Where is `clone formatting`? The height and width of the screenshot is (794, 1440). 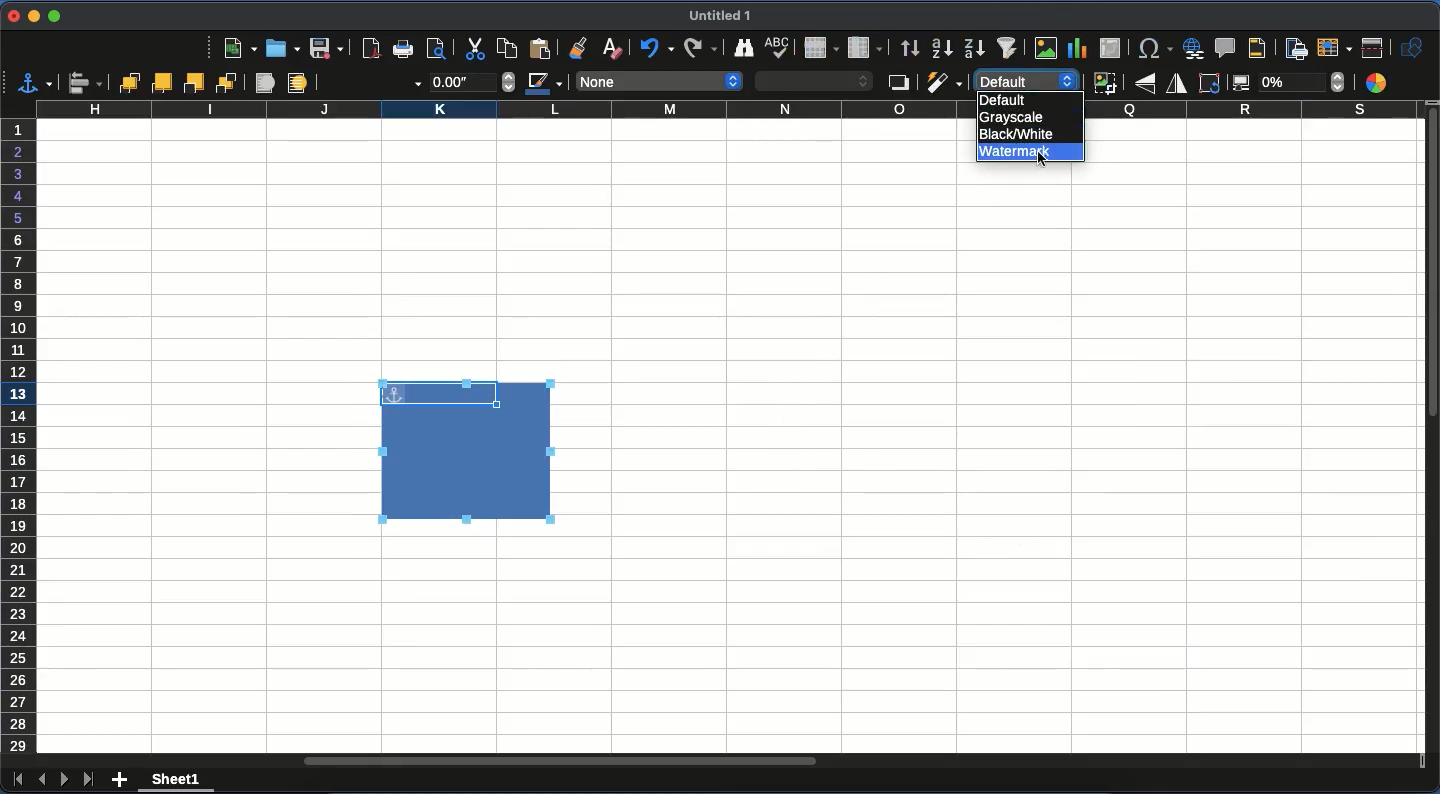
clone formatting is located at coordinates (588, 46).